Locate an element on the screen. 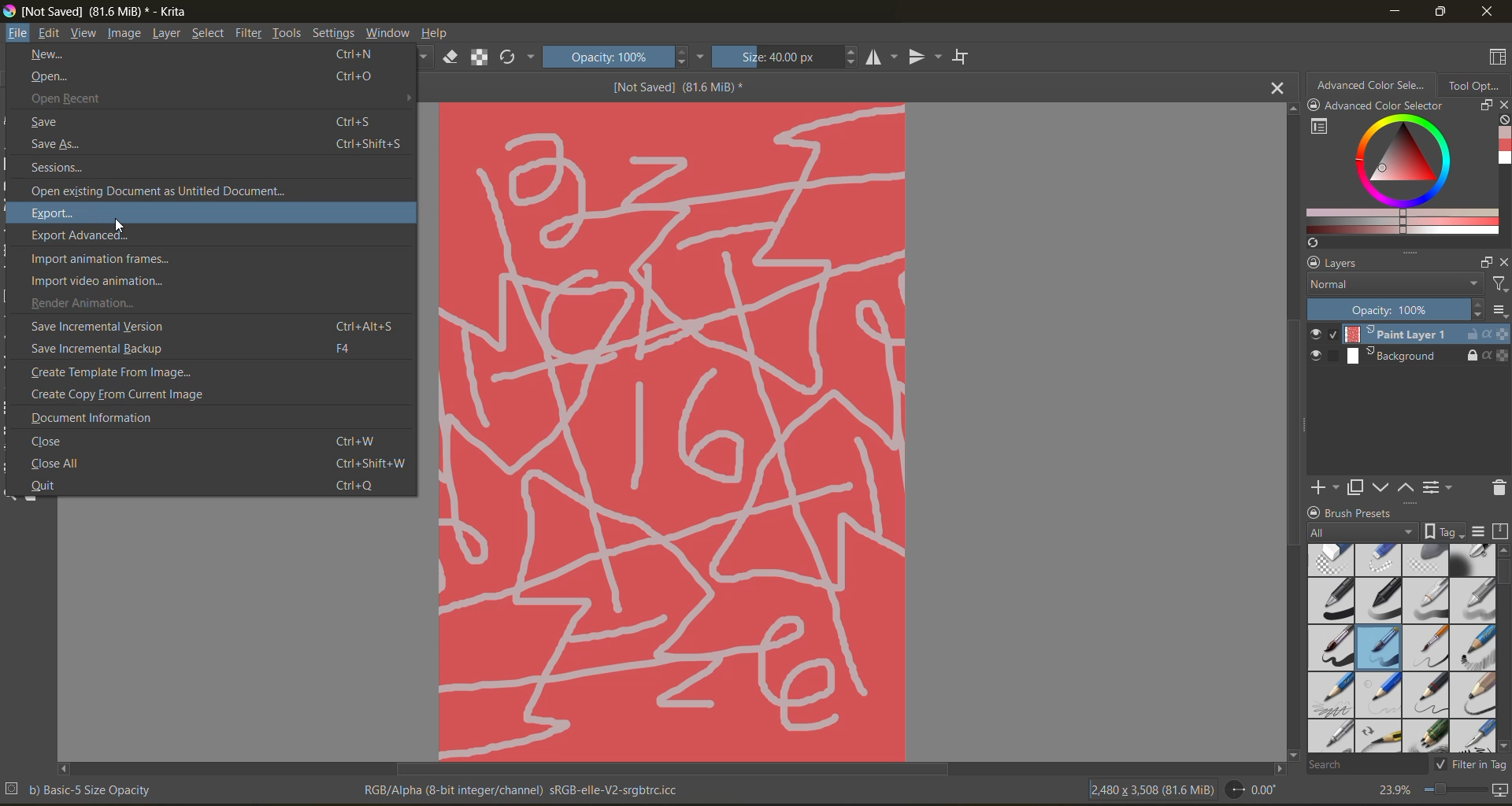 This screenshot has height=806, width=1512. tool options is located at coordinates (1475, 84).